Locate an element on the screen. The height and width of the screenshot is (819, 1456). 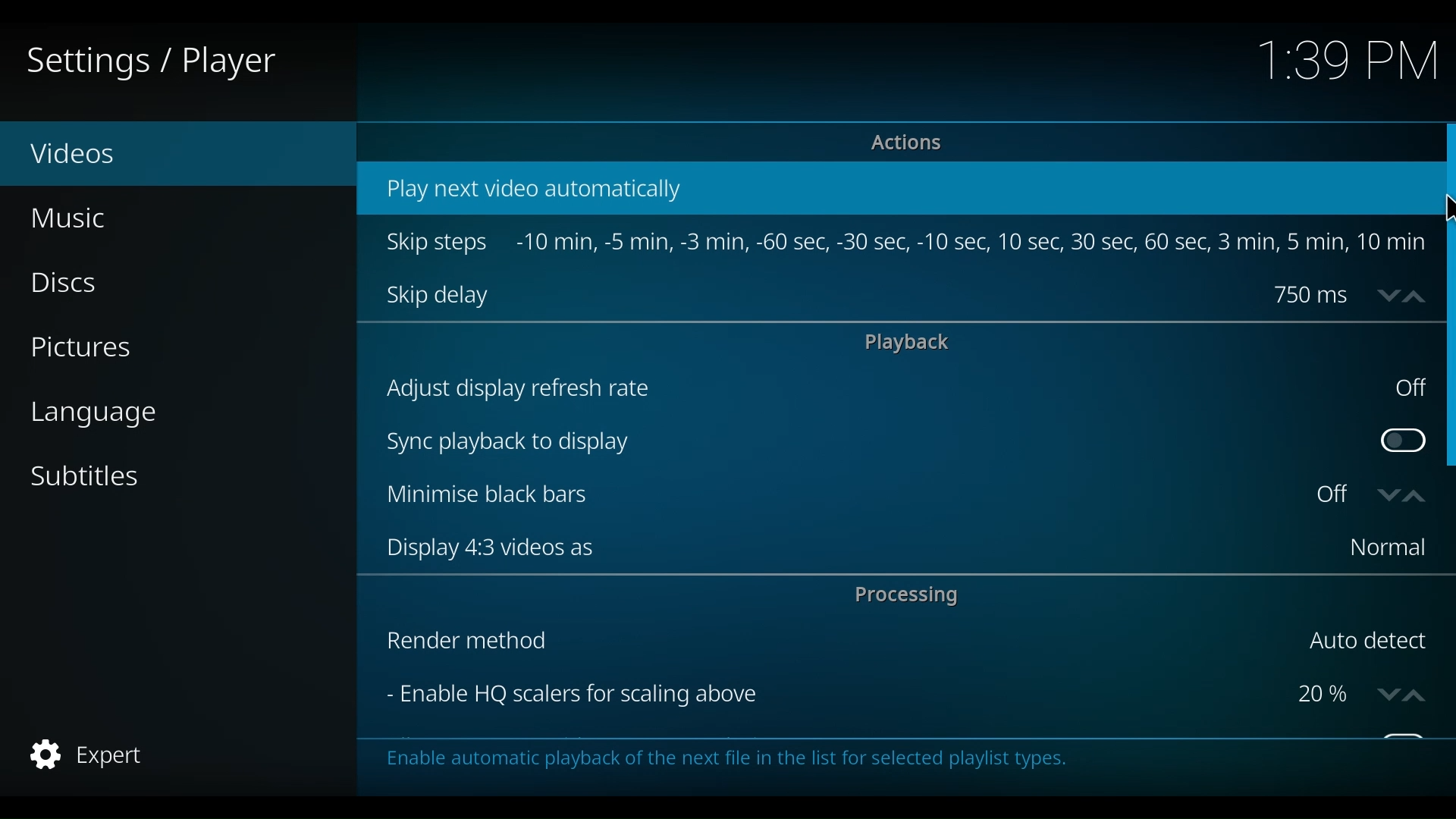
Subtitles is located at coordinates (86, 475).